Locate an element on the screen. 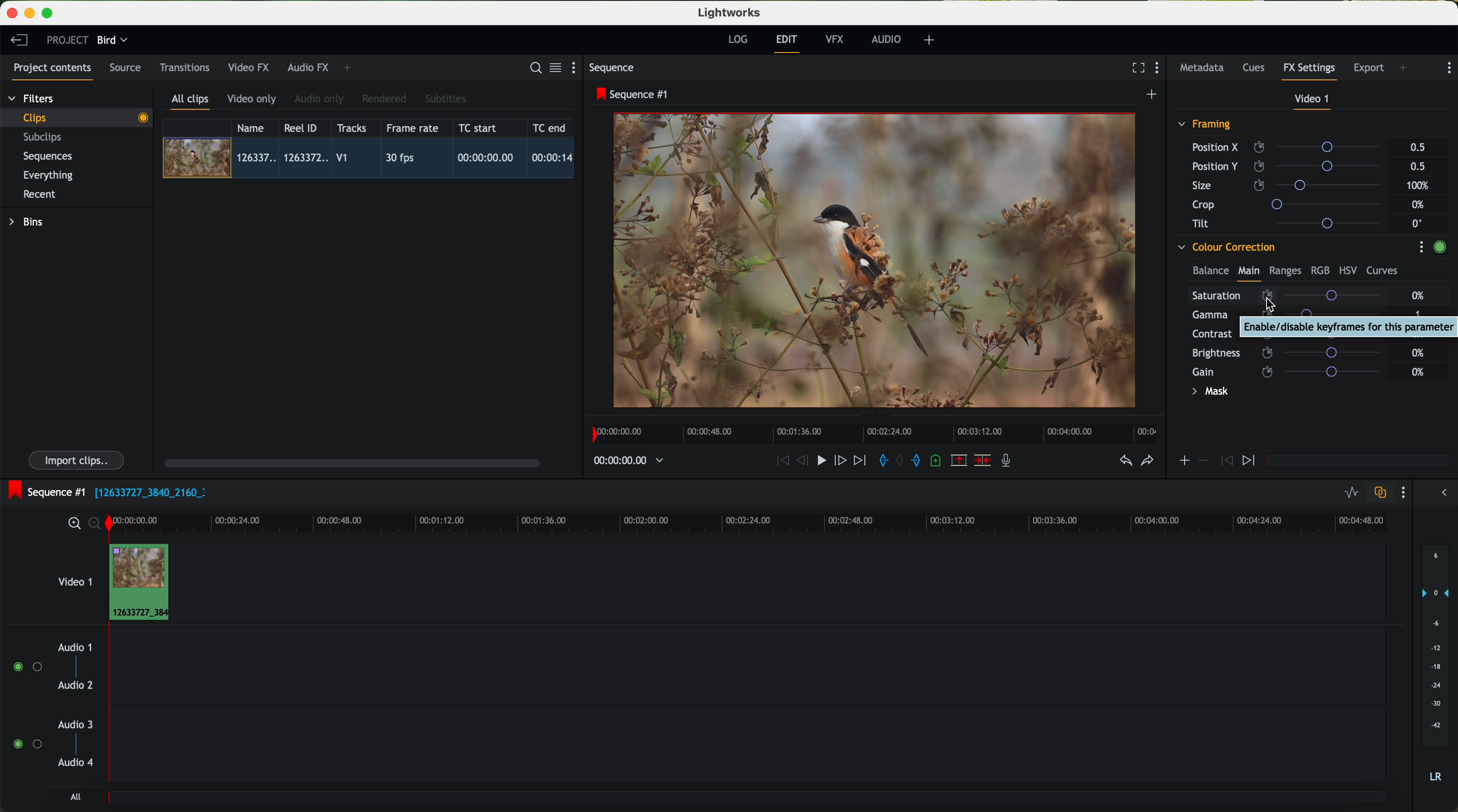 The image size is (1458, 812). timeline is located at coordinates (778, 522).